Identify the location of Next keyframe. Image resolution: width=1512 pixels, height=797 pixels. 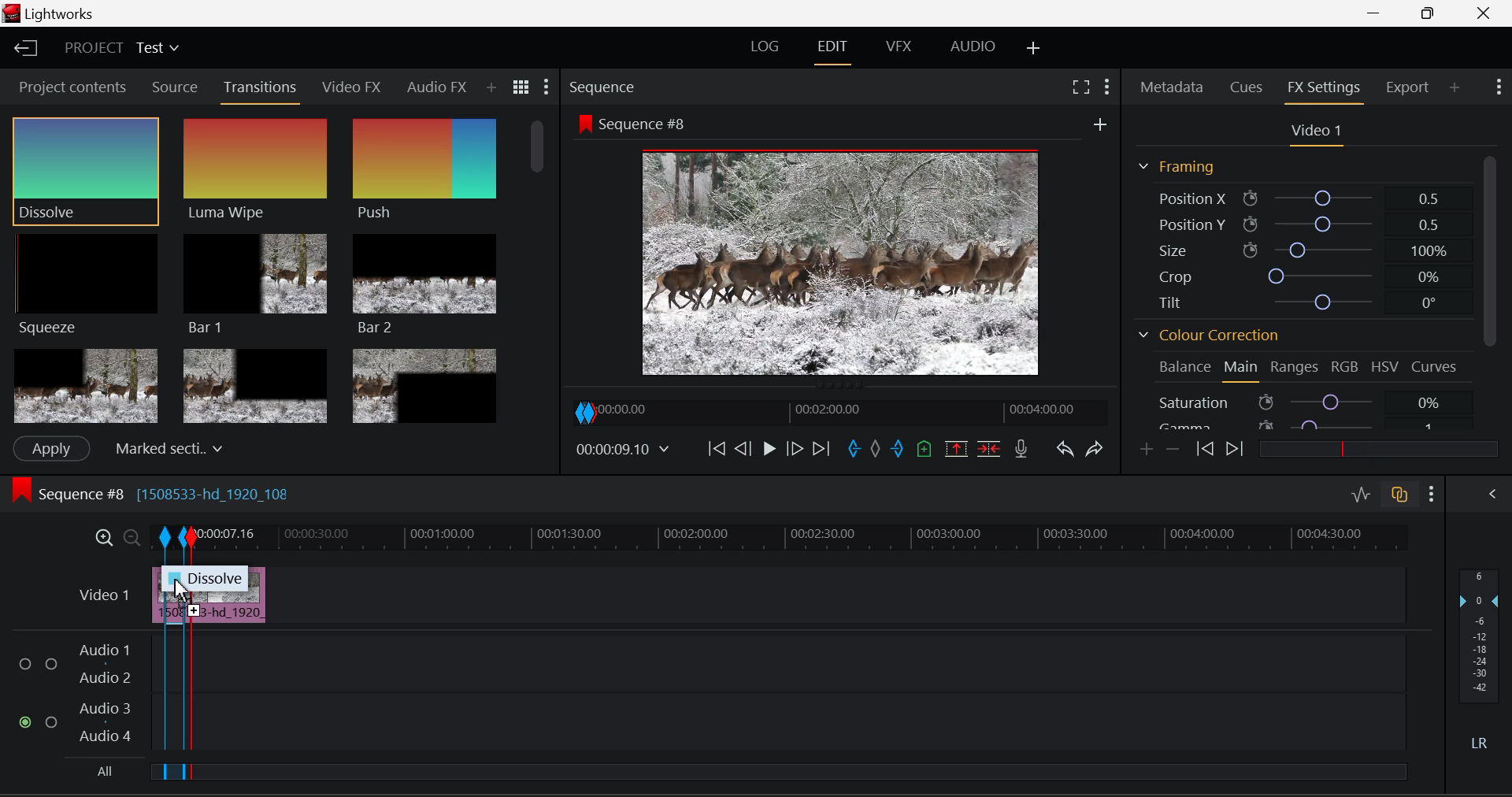
(1232, 449).